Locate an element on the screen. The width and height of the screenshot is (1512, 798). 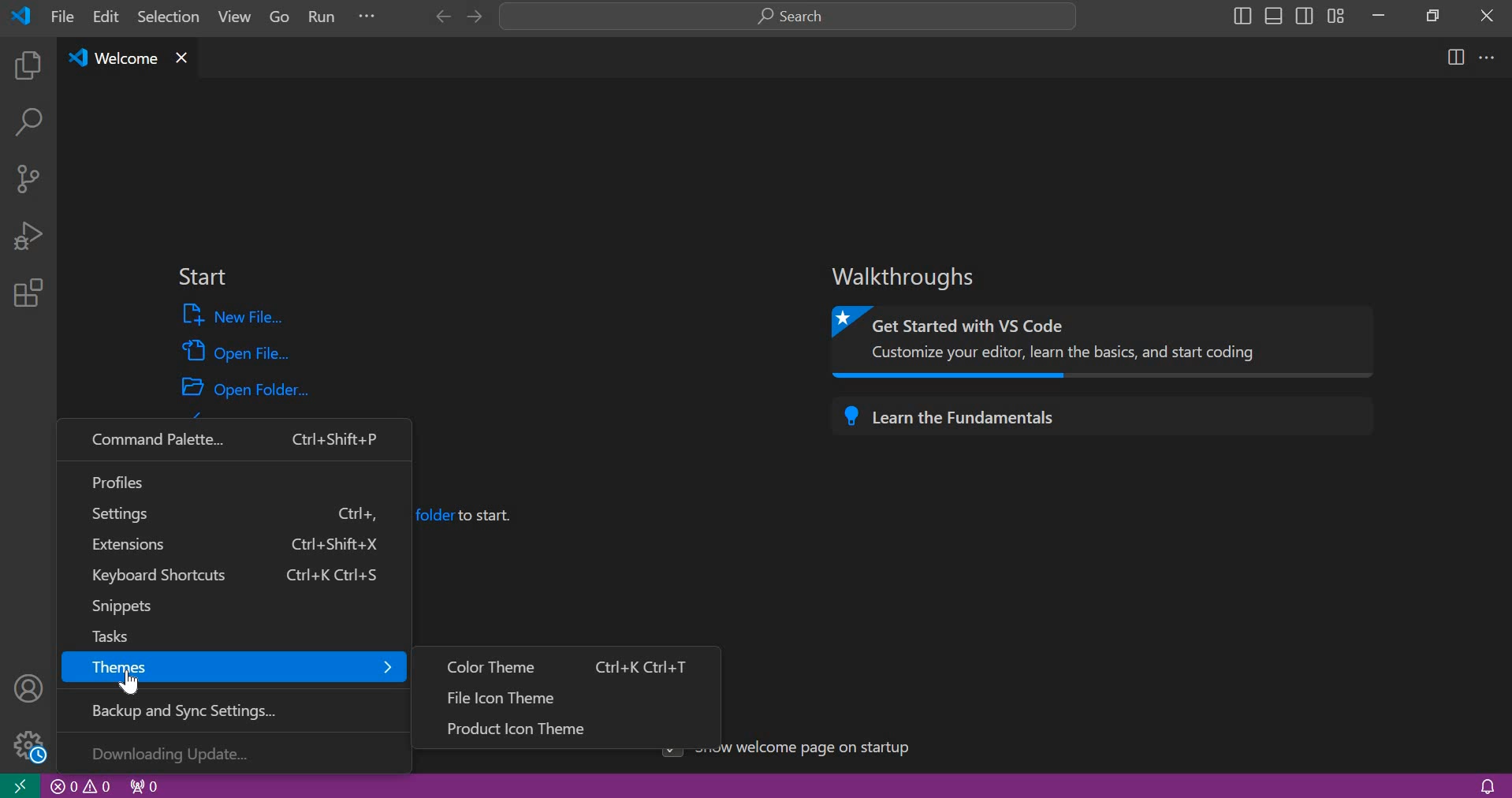
backup and sync settings is located at coordinates (241, 708).